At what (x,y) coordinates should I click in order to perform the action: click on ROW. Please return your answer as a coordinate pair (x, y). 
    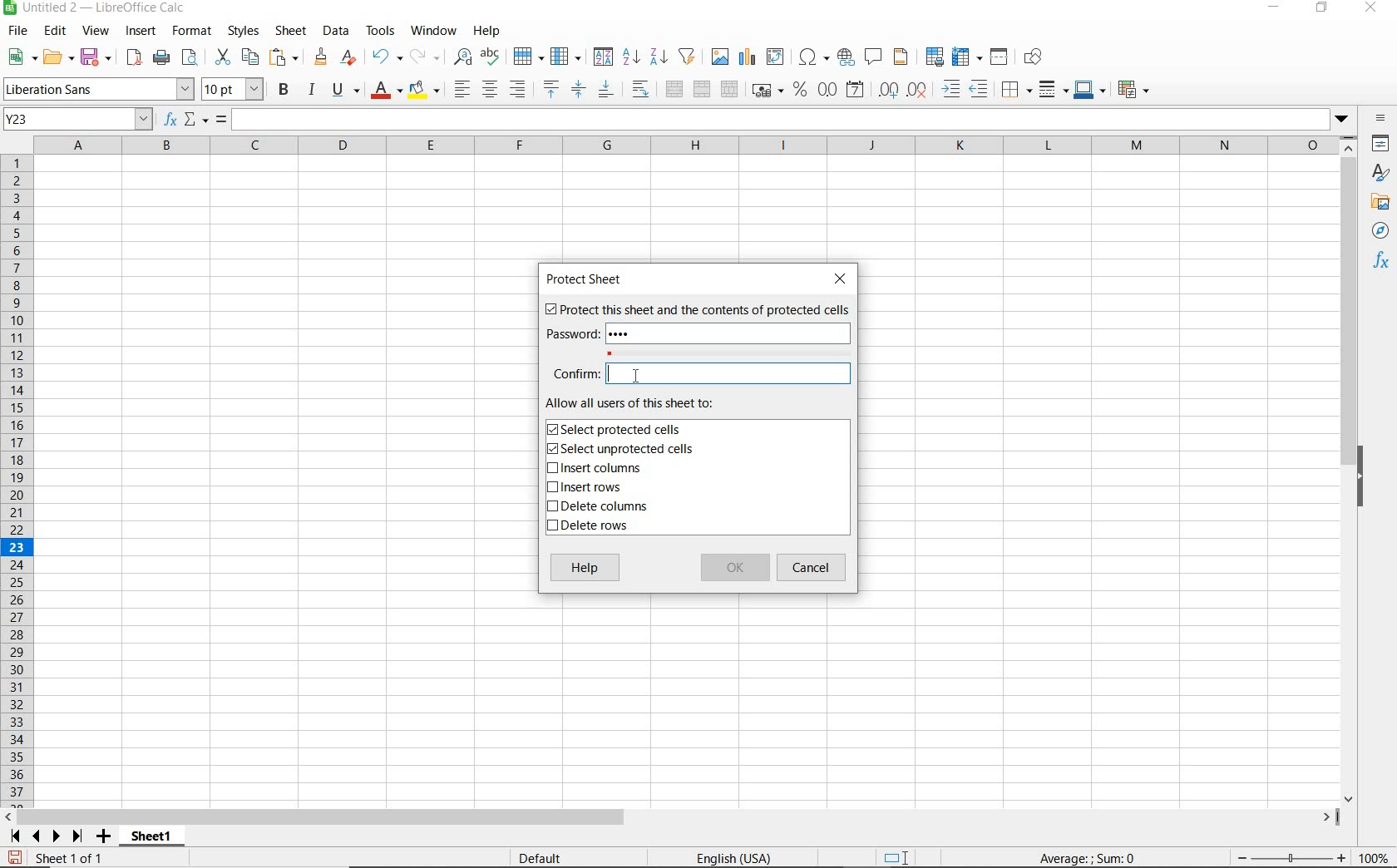
    Looking at the image, I should click on (528, 55).